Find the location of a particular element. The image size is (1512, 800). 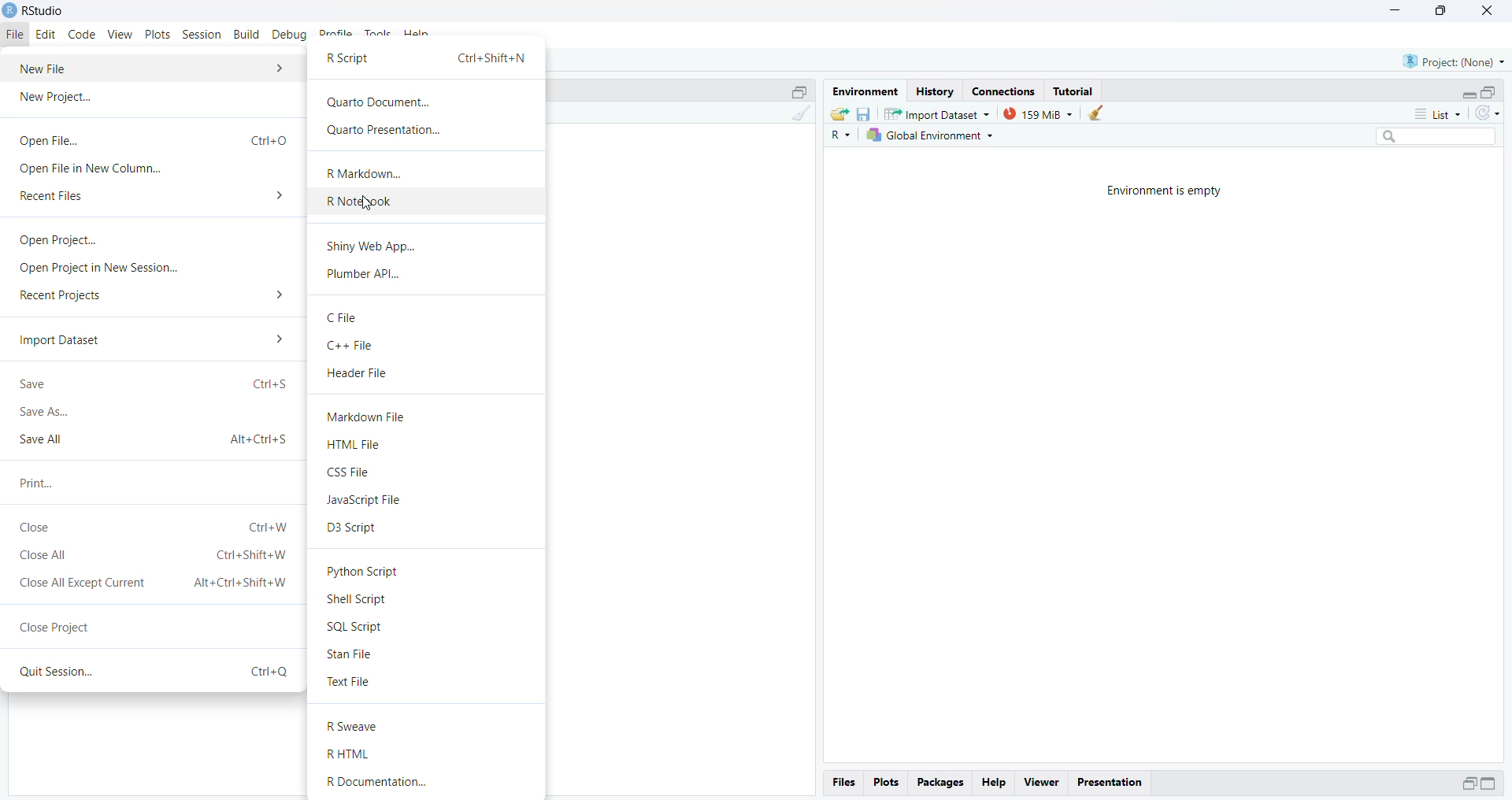

clear console is located at coordinates (799, 115).